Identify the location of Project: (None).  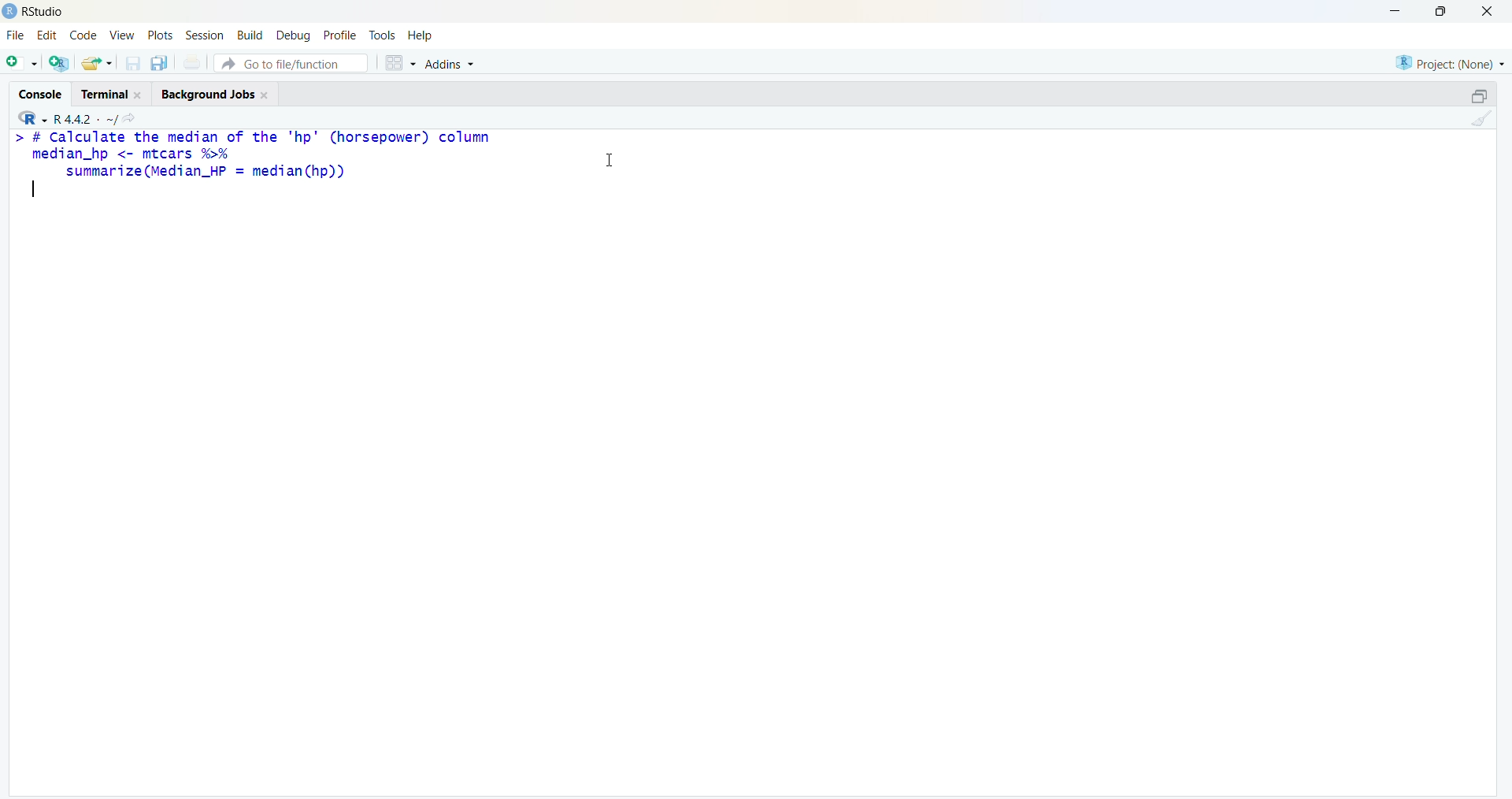
(1450, 63).